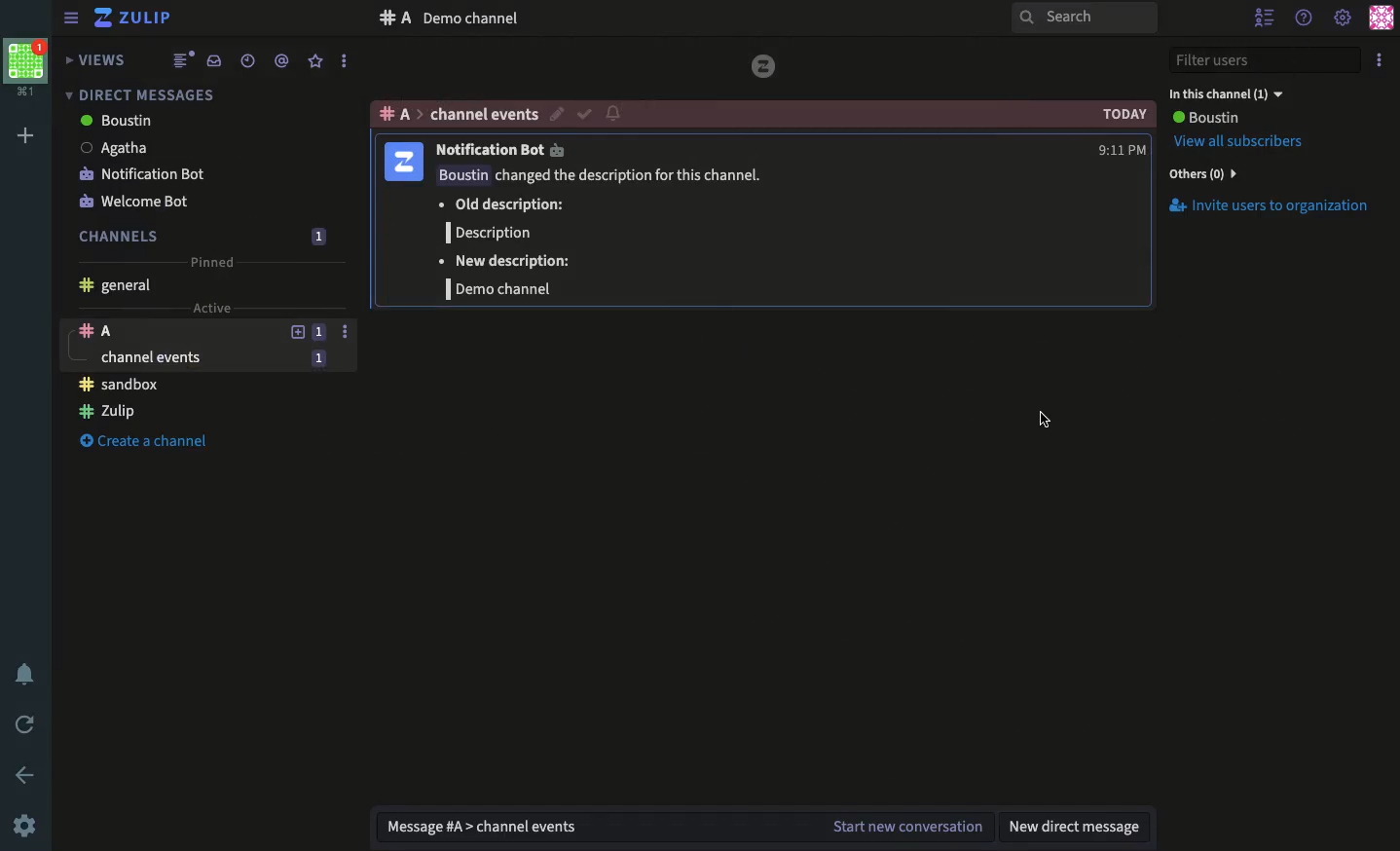 This screenshot has height=851, width=1400. What do you see at coordinates (346, 331) in the screenshot?
I see `options` at bounding box center [346, 331].